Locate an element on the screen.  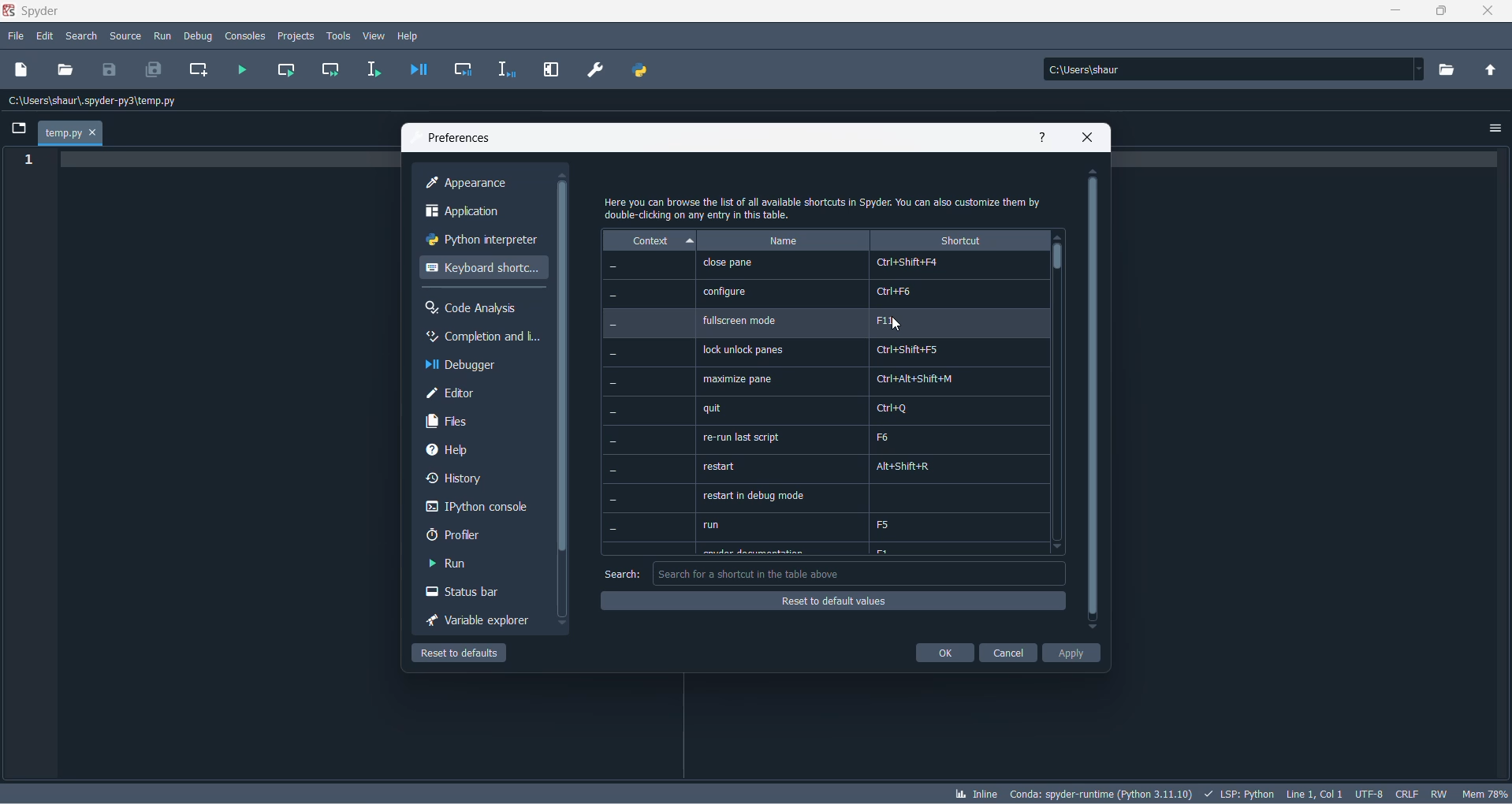
save all is located at coordinates (151, 71).